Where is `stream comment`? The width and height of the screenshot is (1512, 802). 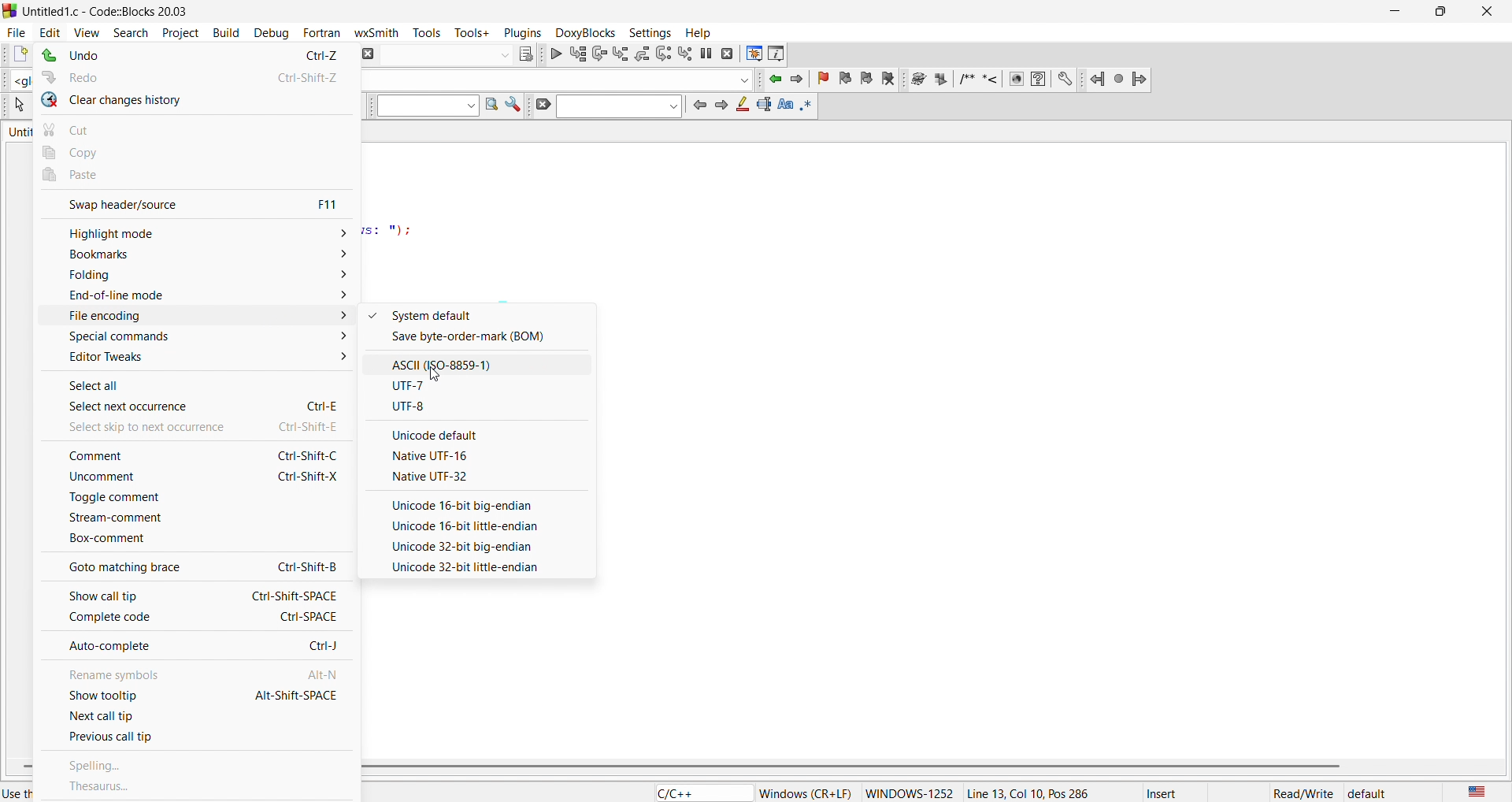
stream comment is located at coordinates (192, 519).